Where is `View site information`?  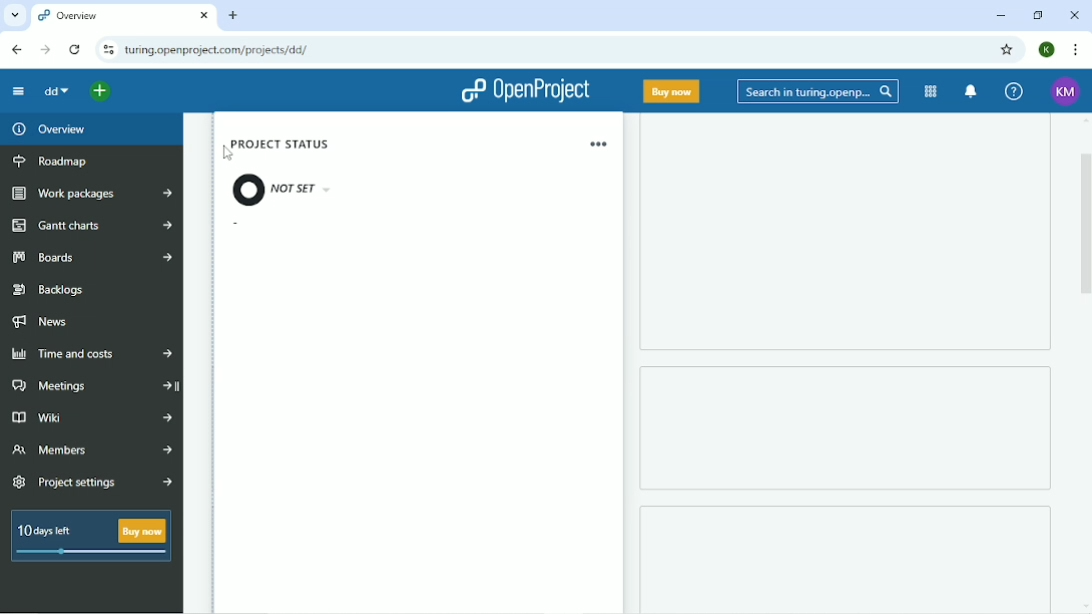
View site information is located at coordinates (107, 50).